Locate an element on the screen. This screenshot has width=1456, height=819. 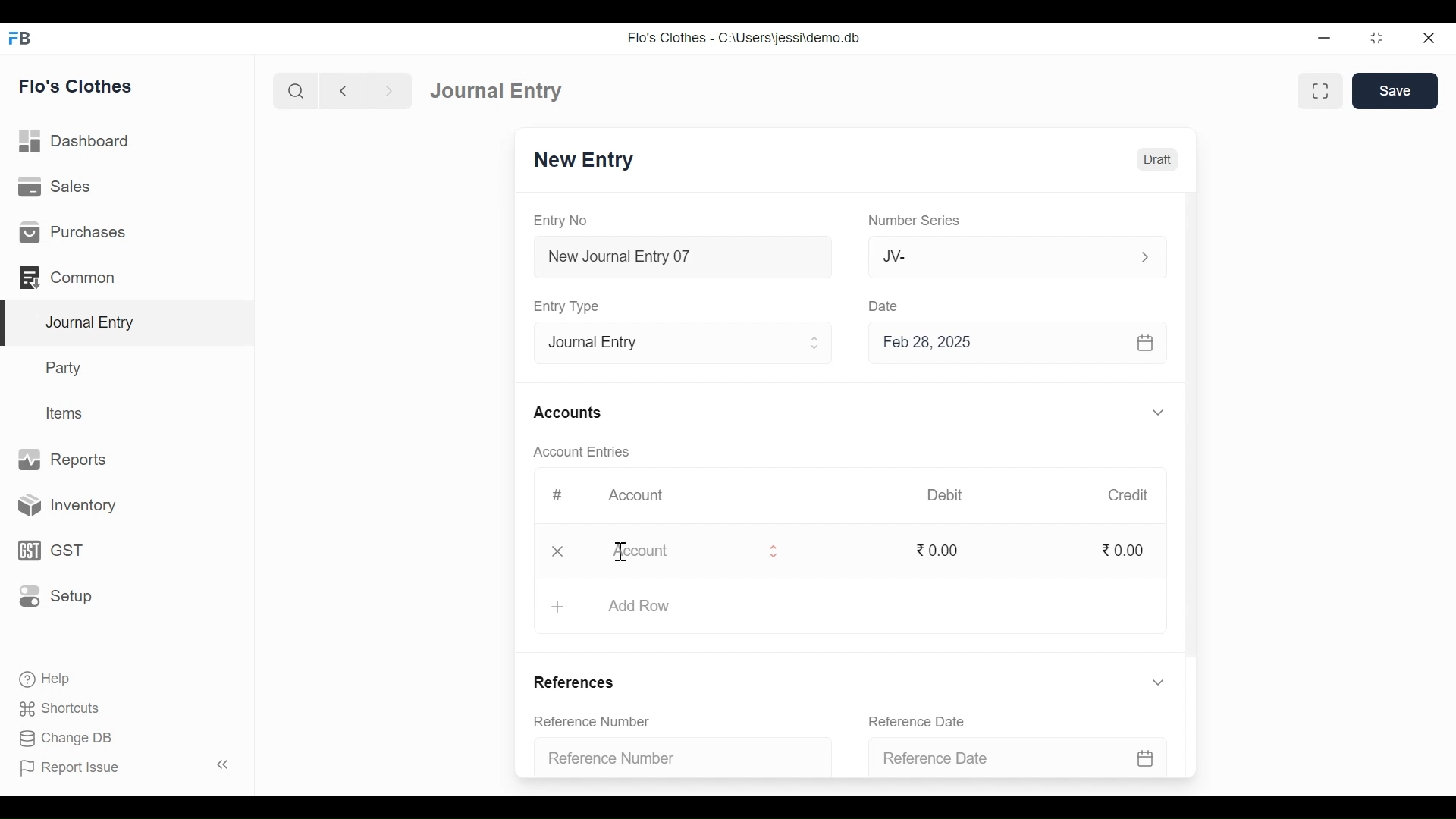
Help is located at coordinates (43, 677).